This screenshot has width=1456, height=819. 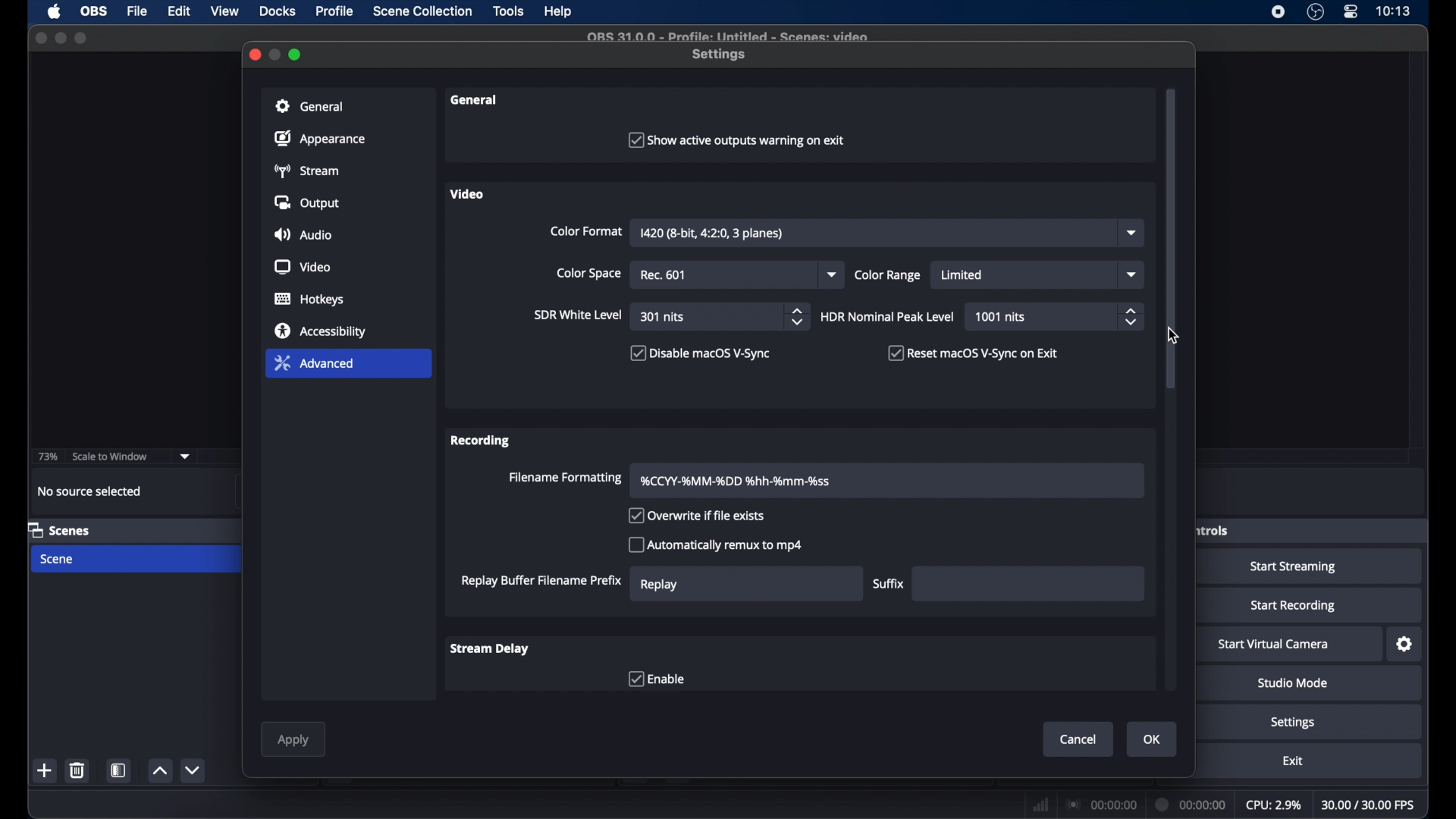 I want to click on dropdown, so click(x=1132, y=275).